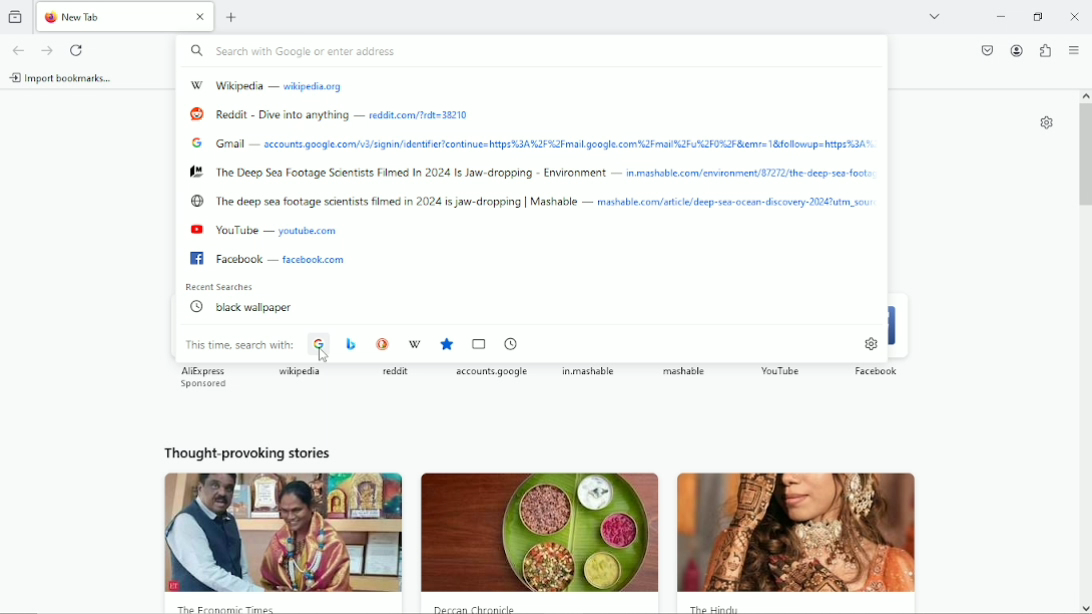 This screenshot has height=614, width=1092. What do you see at coordinates (685, 373) in the screenshot?
I see `mashable` at bounding box center [685, 373].